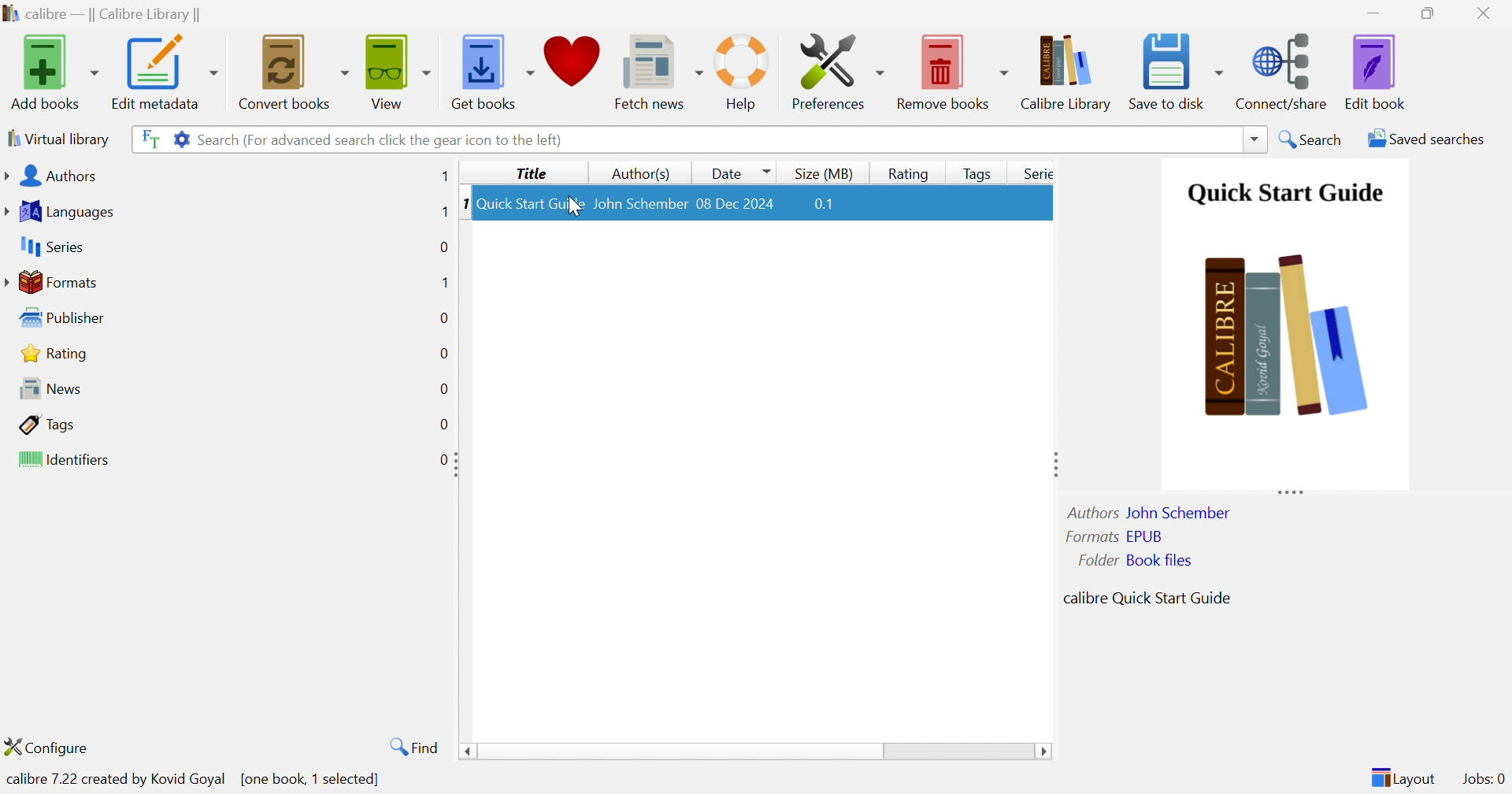 Image resolution: width=1512 pixels, height=794 pixels. I want to click on Identifiers, so click(61, 458).